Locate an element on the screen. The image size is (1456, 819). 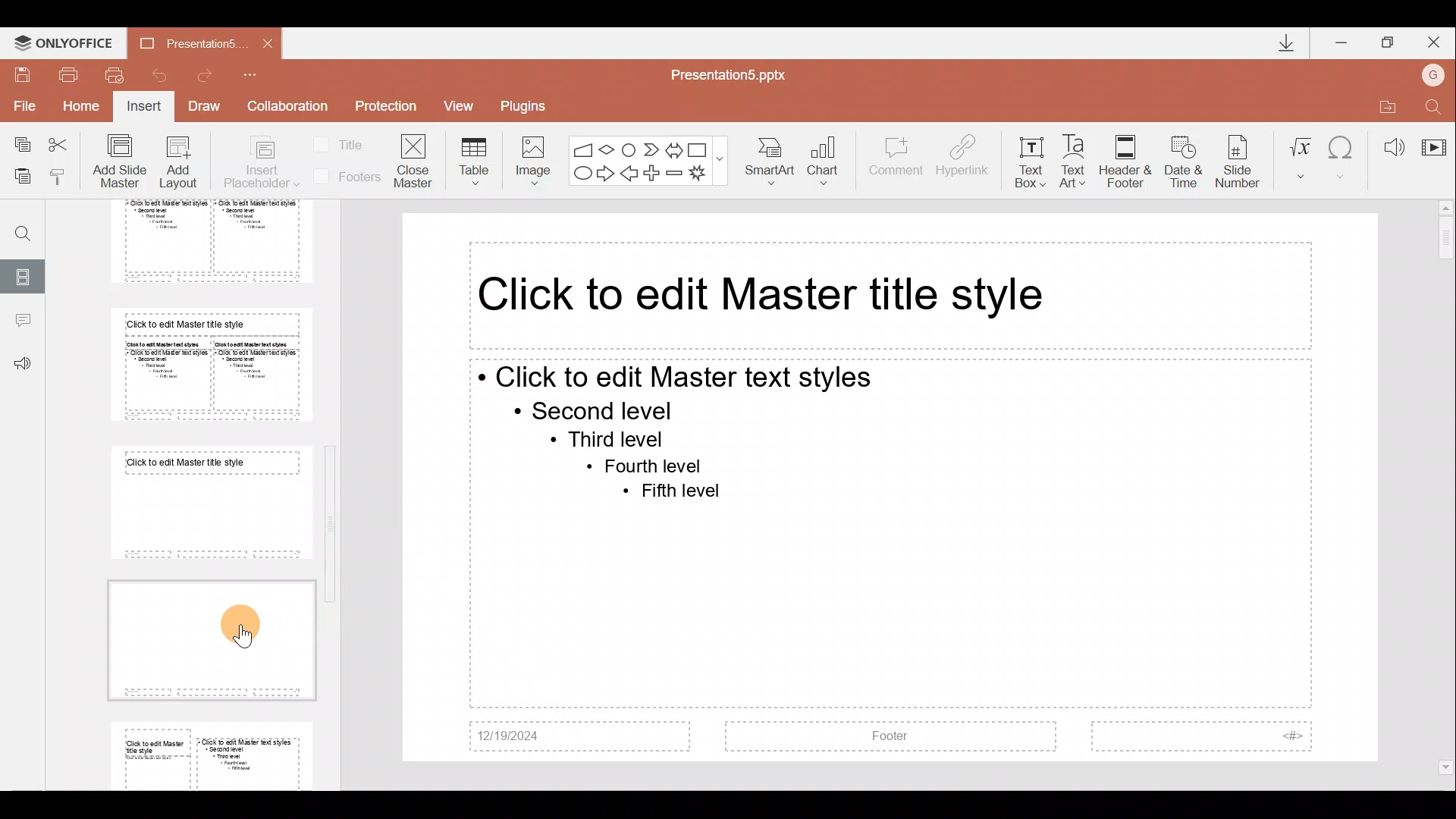
Audio is located at coordinates (1388, 143).